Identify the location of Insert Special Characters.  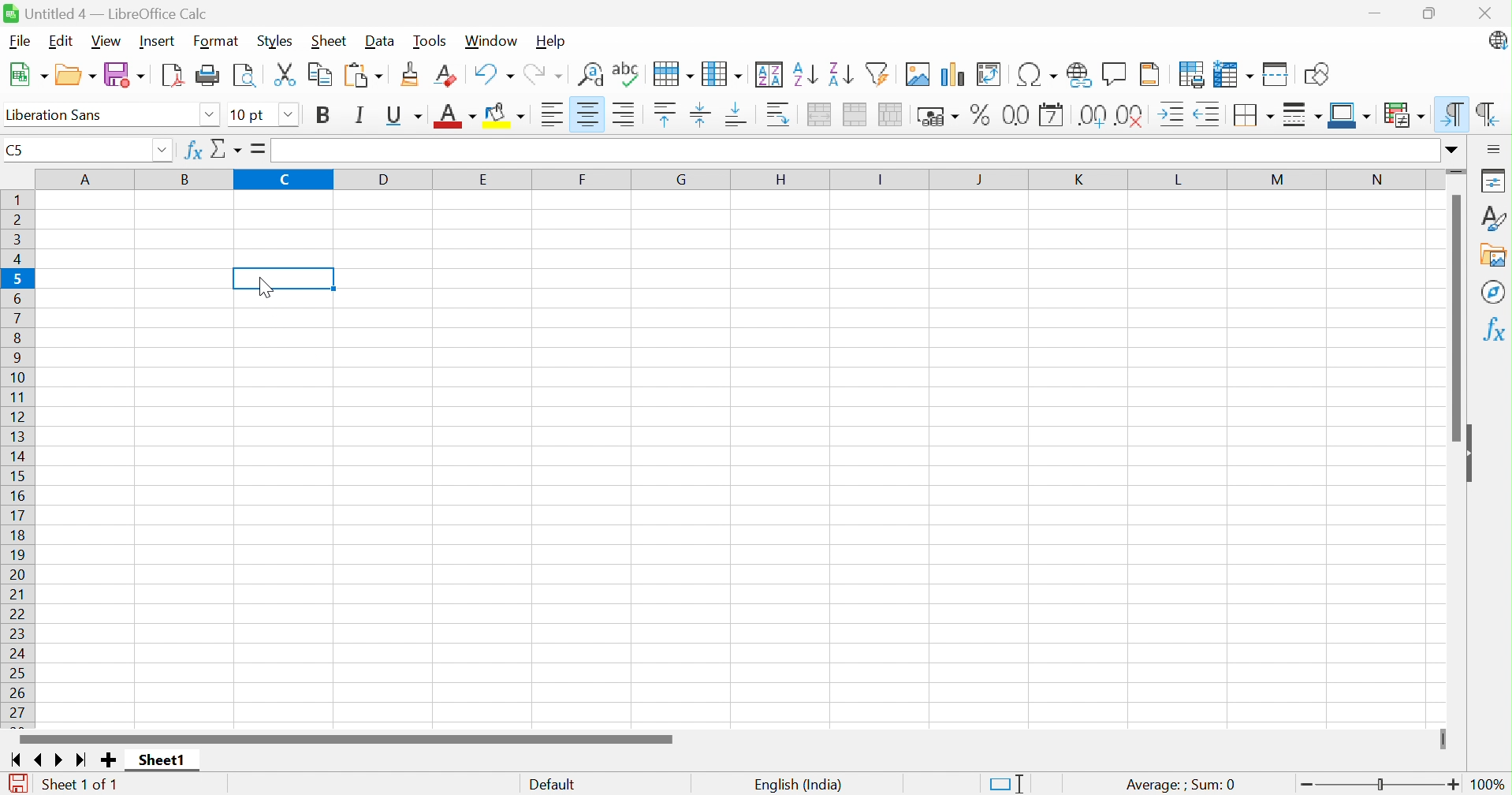
(1035, 74).